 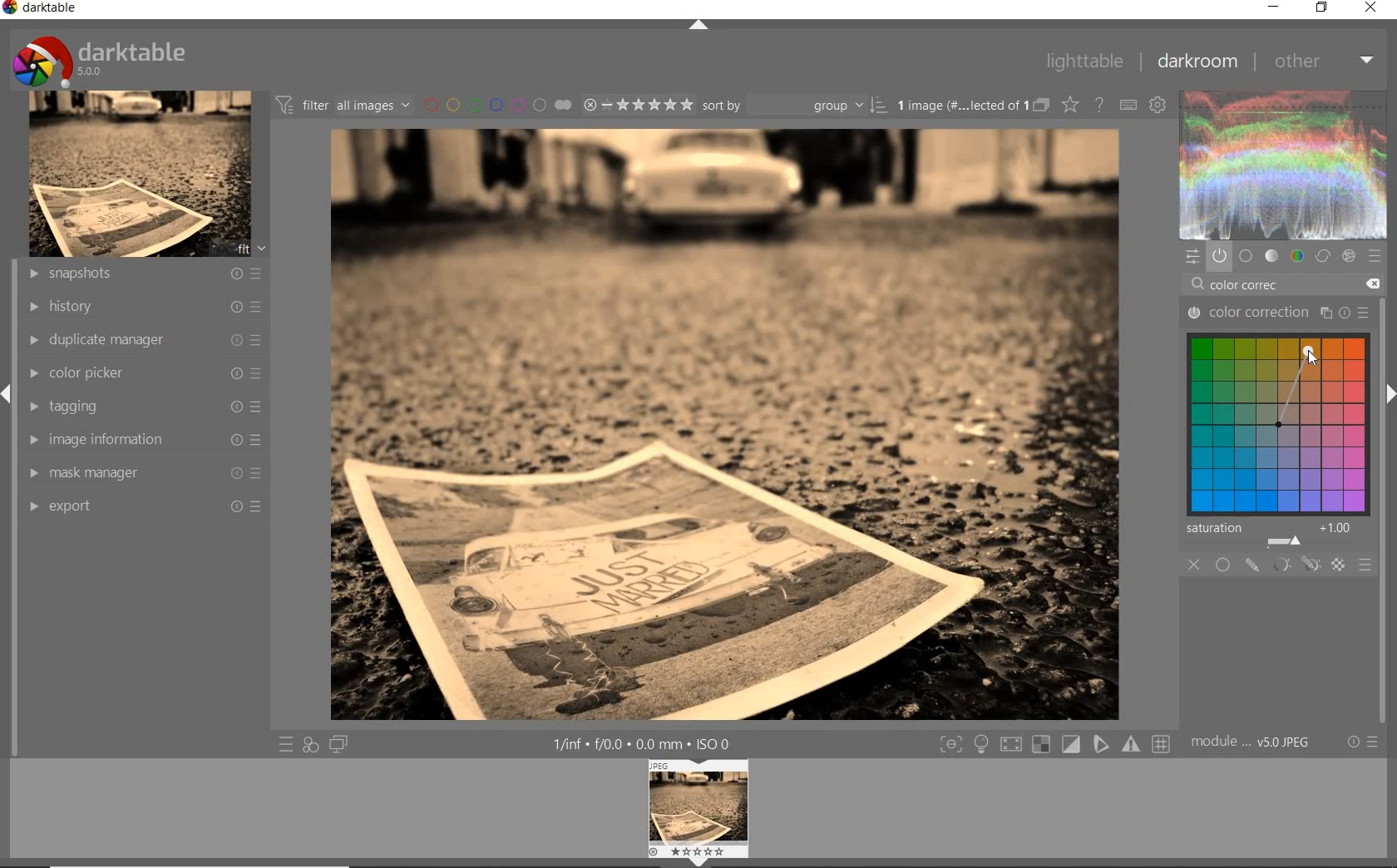 I want to click on color, so click(x=1296, y=257).